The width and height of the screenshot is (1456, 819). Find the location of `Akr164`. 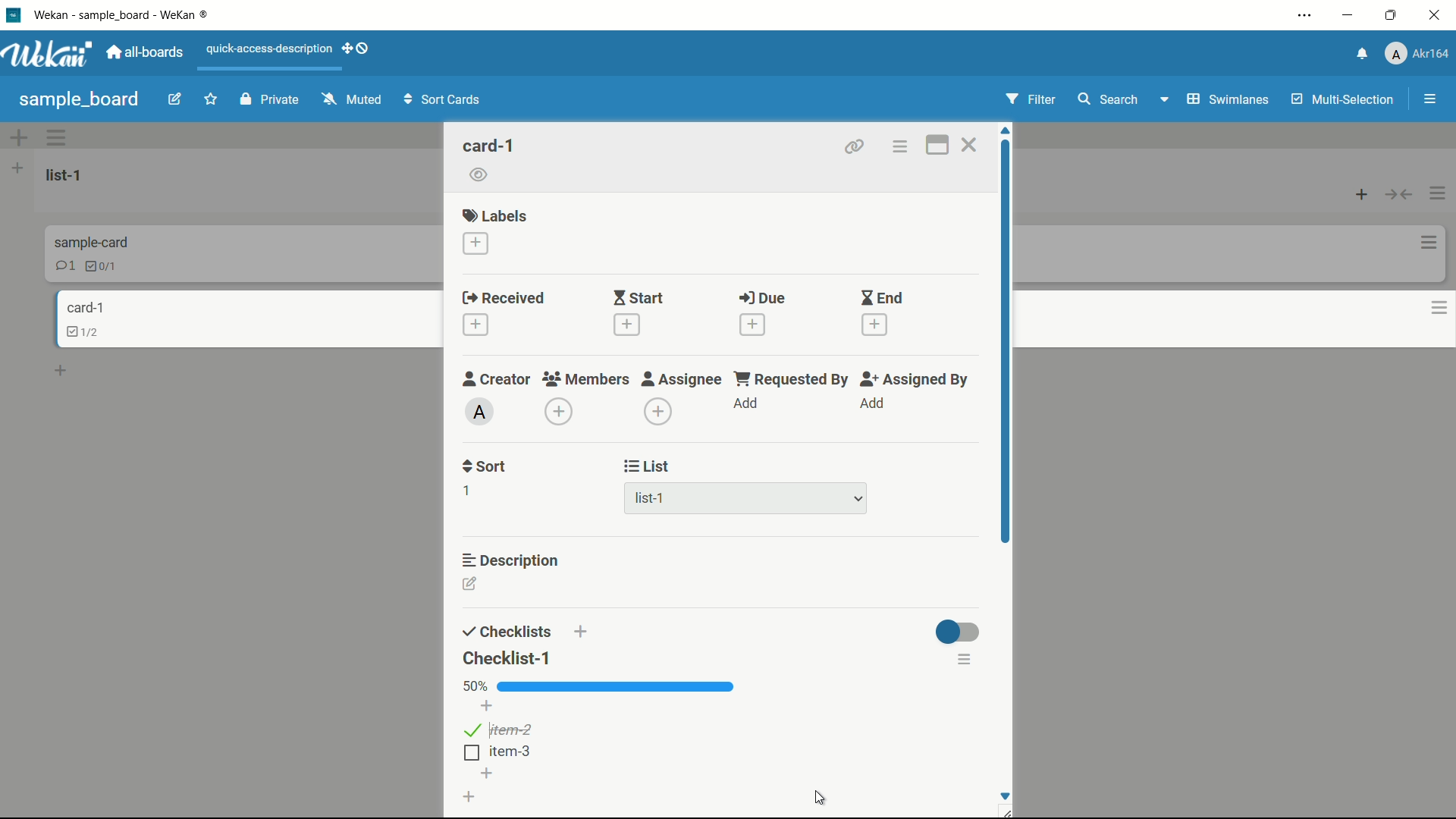

Akr164 is located at coordinates (1420, 55).